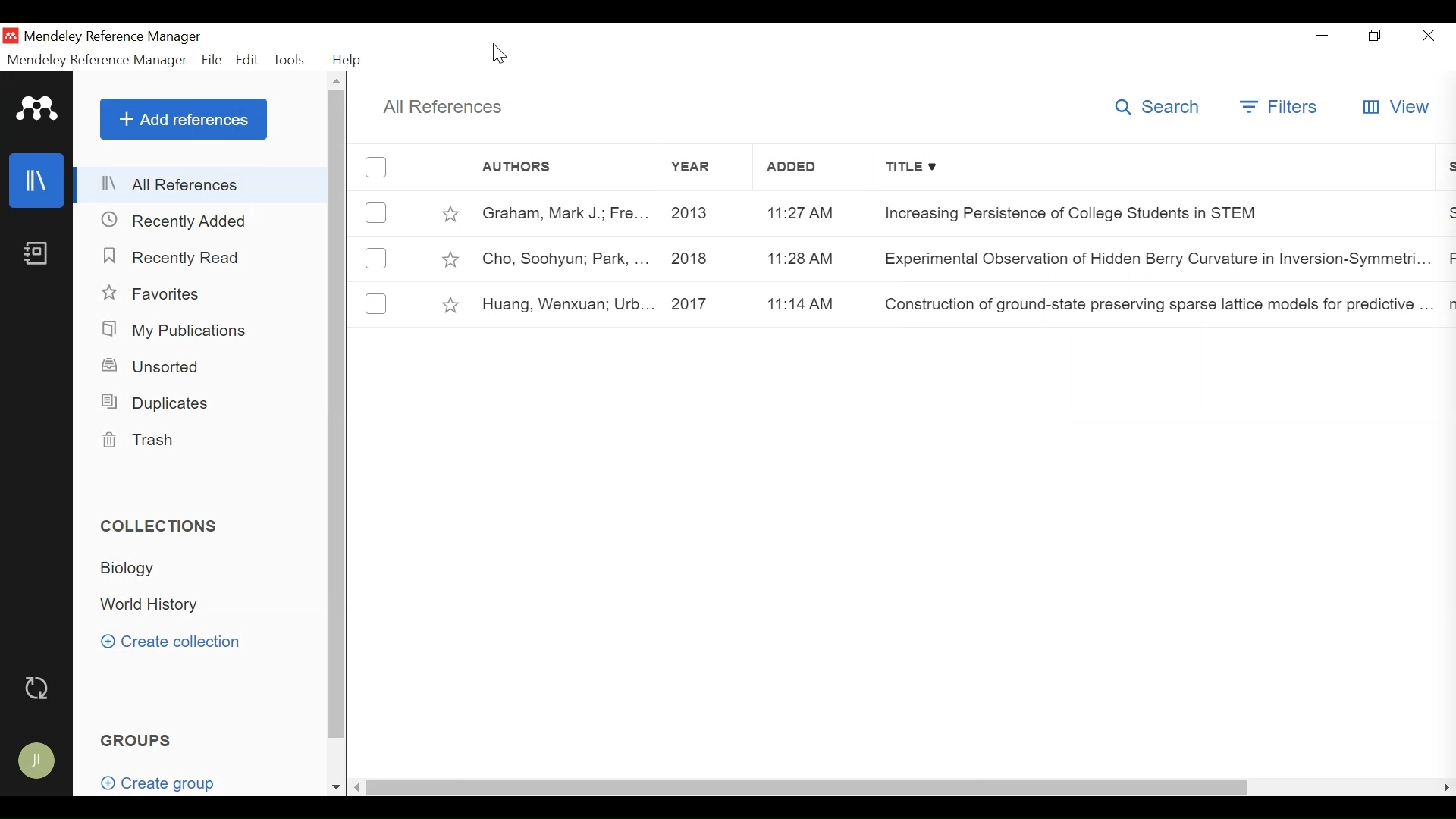  What do you see at coordinates (156, 293) in the screenshot?
I see `Favorites` at bounding box center [156, 293].